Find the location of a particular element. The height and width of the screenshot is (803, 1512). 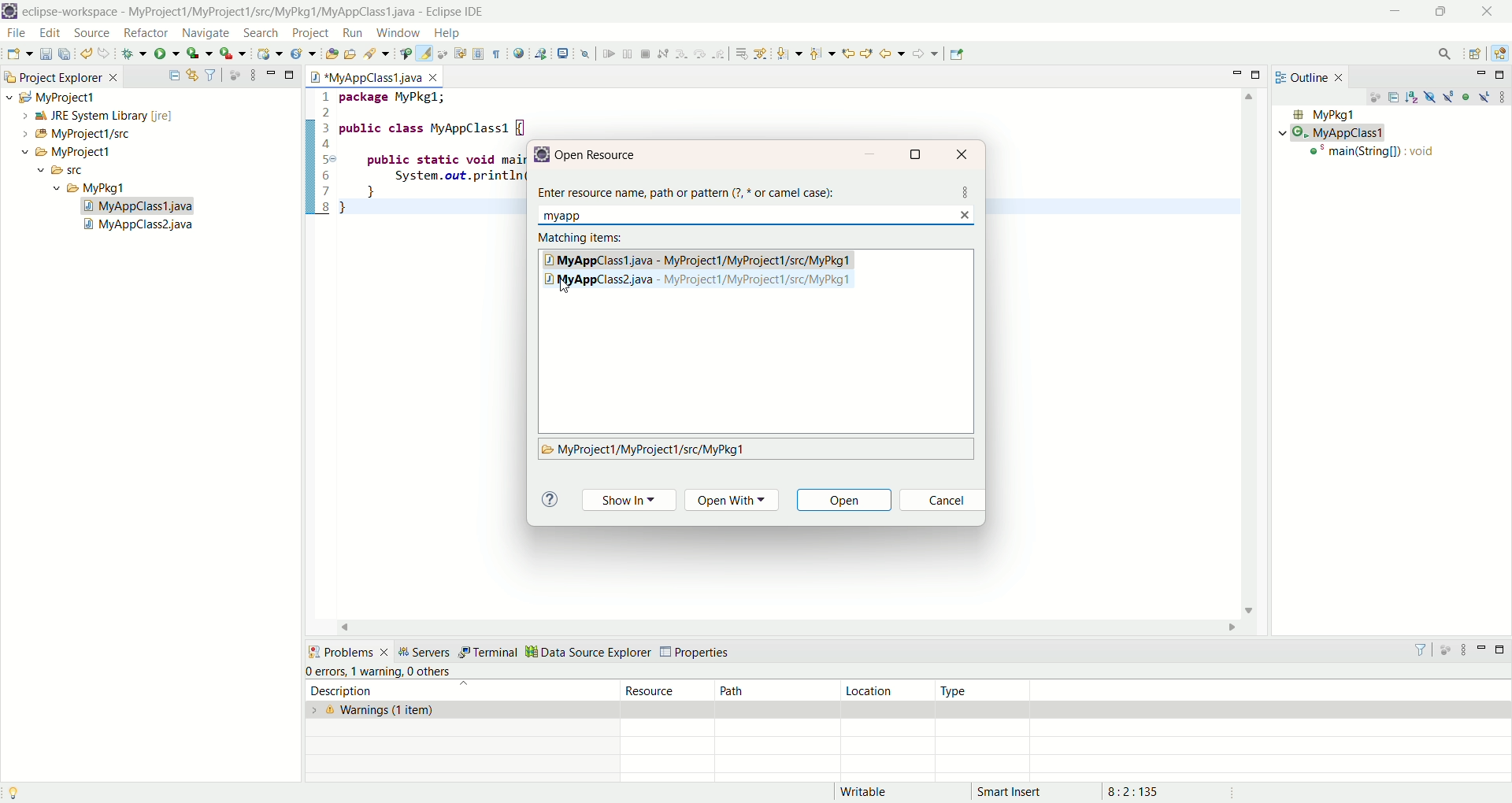

MyAppClass1.java is located at coordinates (376, 75).